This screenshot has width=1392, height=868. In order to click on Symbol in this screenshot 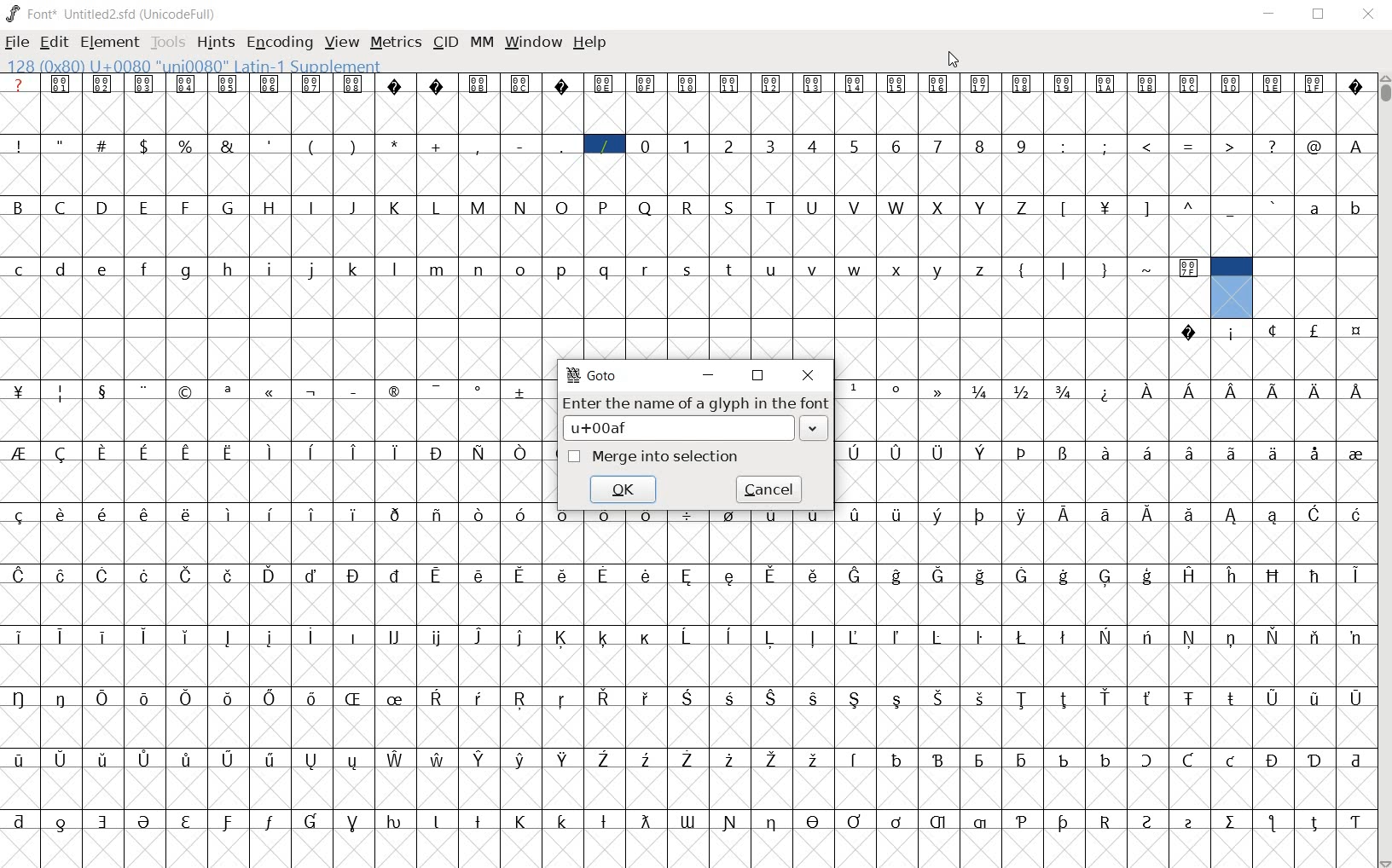, I will do `click(17, 760)`.